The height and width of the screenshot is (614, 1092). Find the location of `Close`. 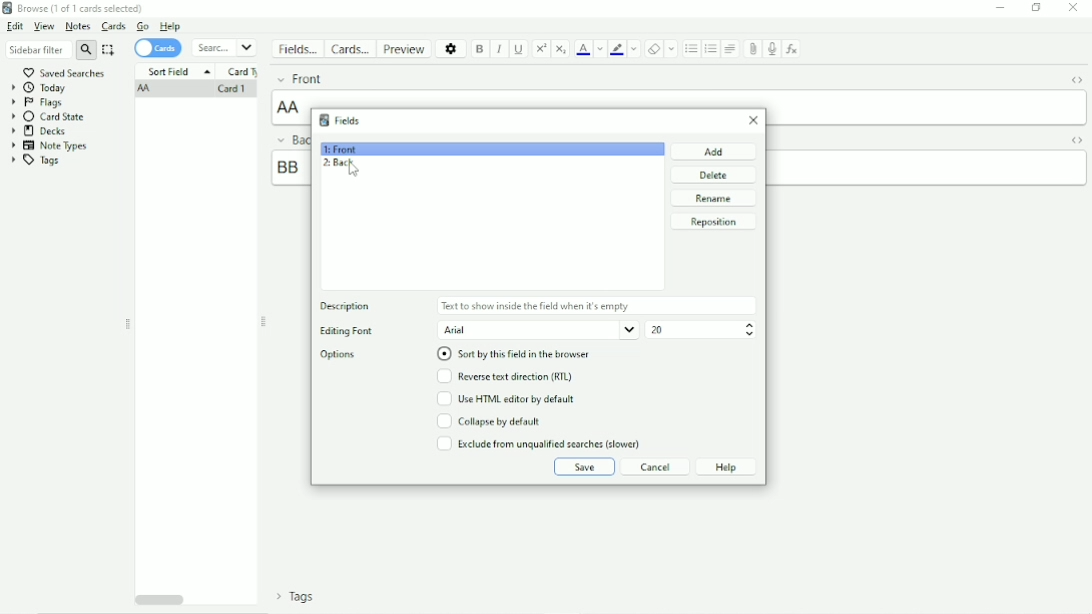

Close is located at coordinates (1073, 8).